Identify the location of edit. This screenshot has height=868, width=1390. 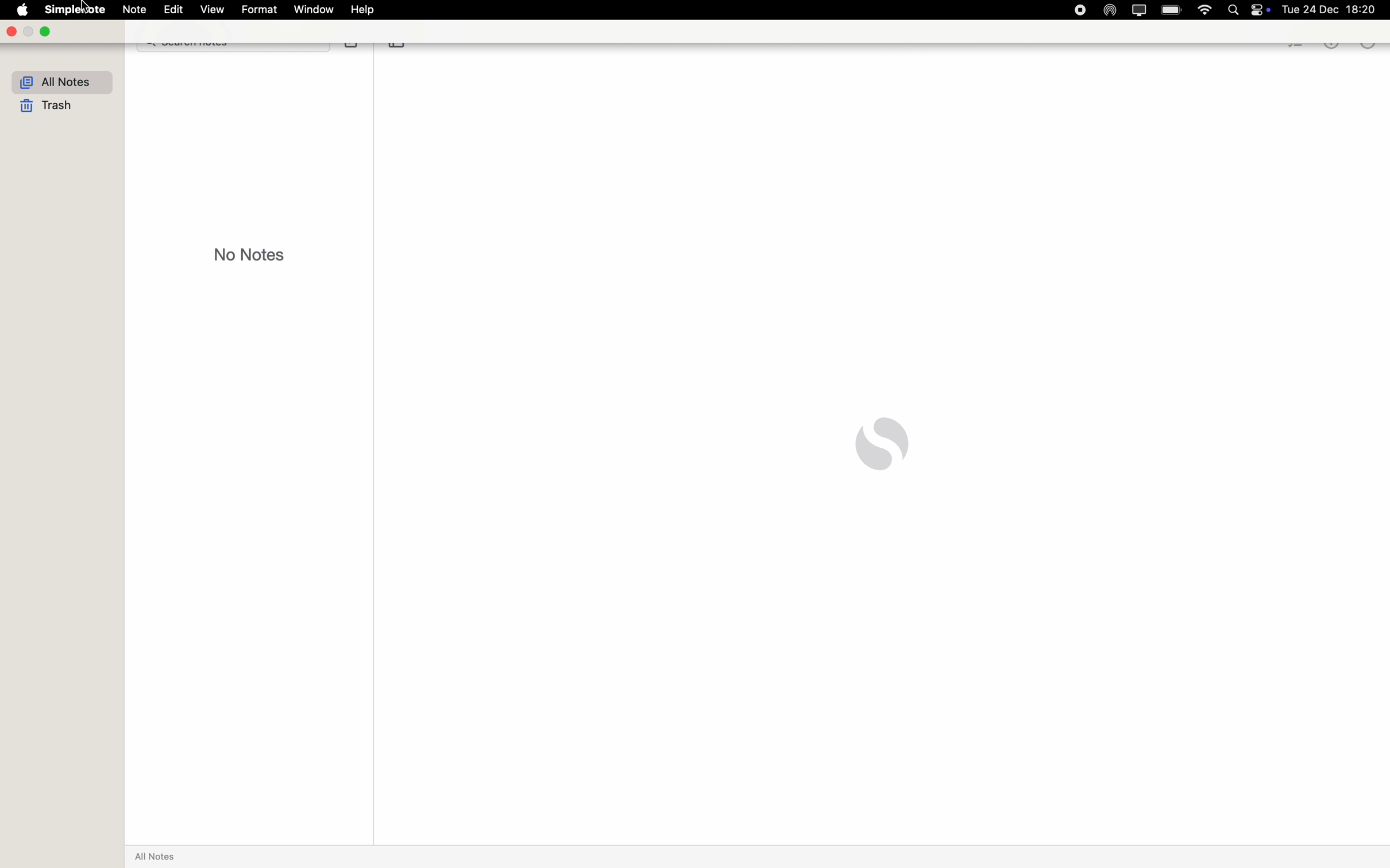
(172, 10).